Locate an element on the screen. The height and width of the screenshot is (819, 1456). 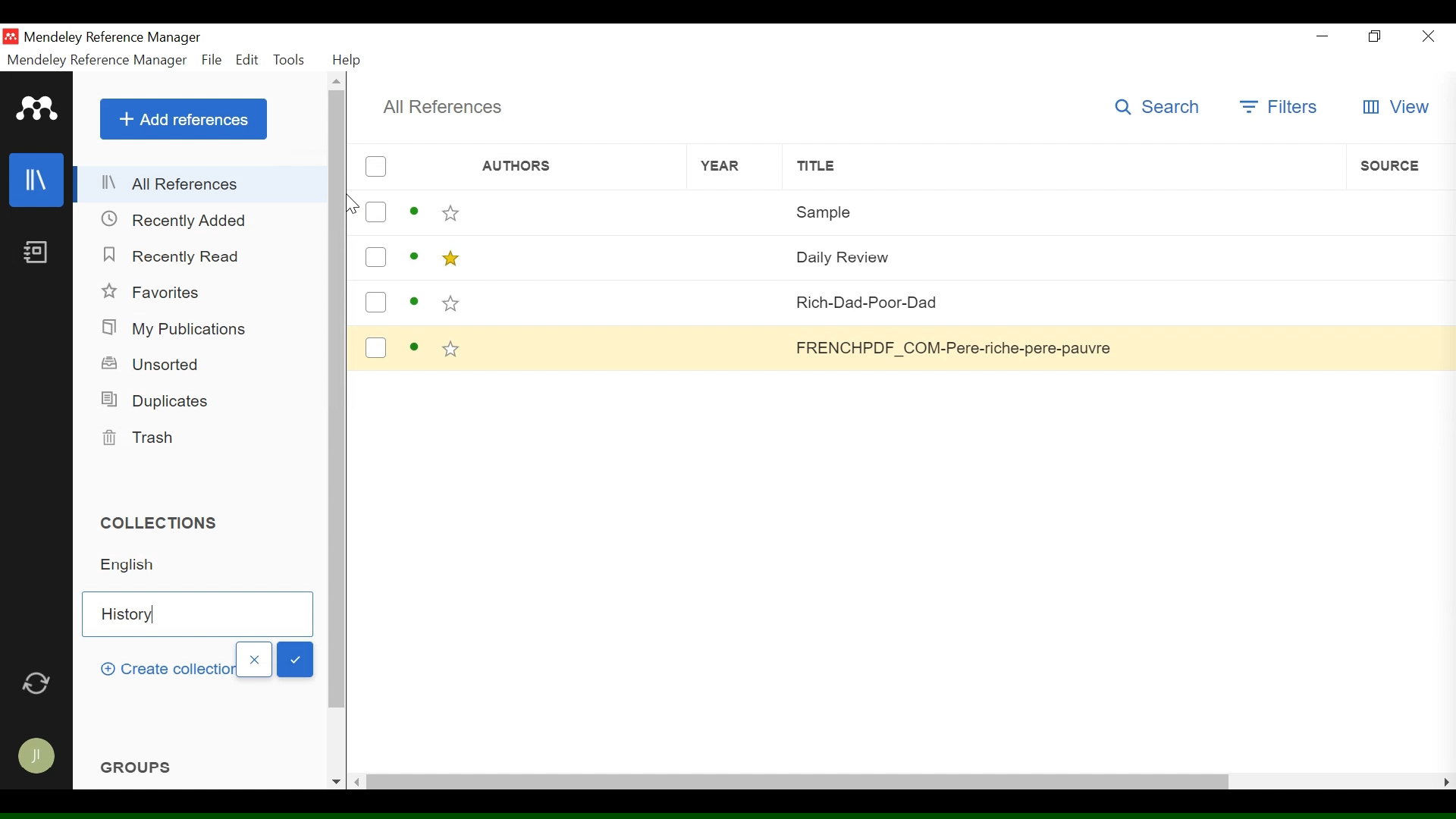
Recently Added is located at coordinates (174, 221).